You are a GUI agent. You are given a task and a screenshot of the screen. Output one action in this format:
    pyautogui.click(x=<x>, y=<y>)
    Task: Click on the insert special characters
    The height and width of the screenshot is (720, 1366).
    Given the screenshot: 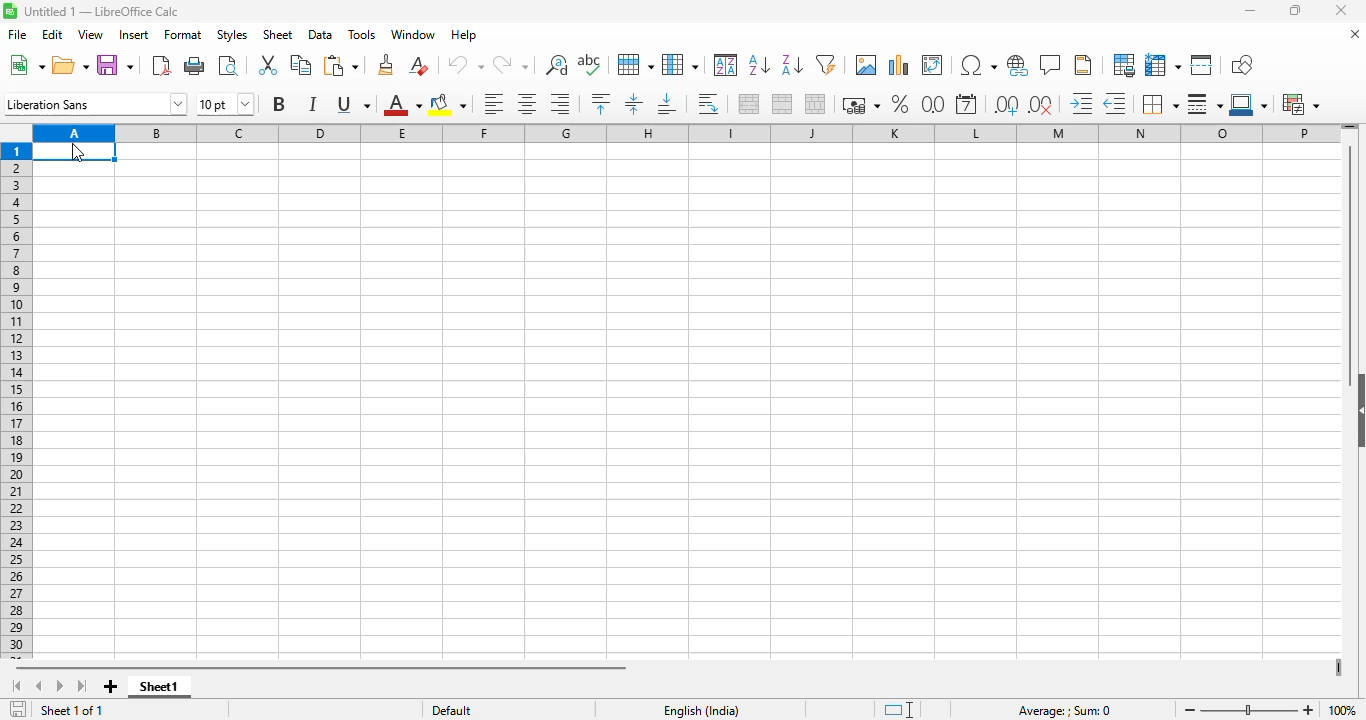 What is the action you would take?
    pyautogui.click(x=978, y=65)
    